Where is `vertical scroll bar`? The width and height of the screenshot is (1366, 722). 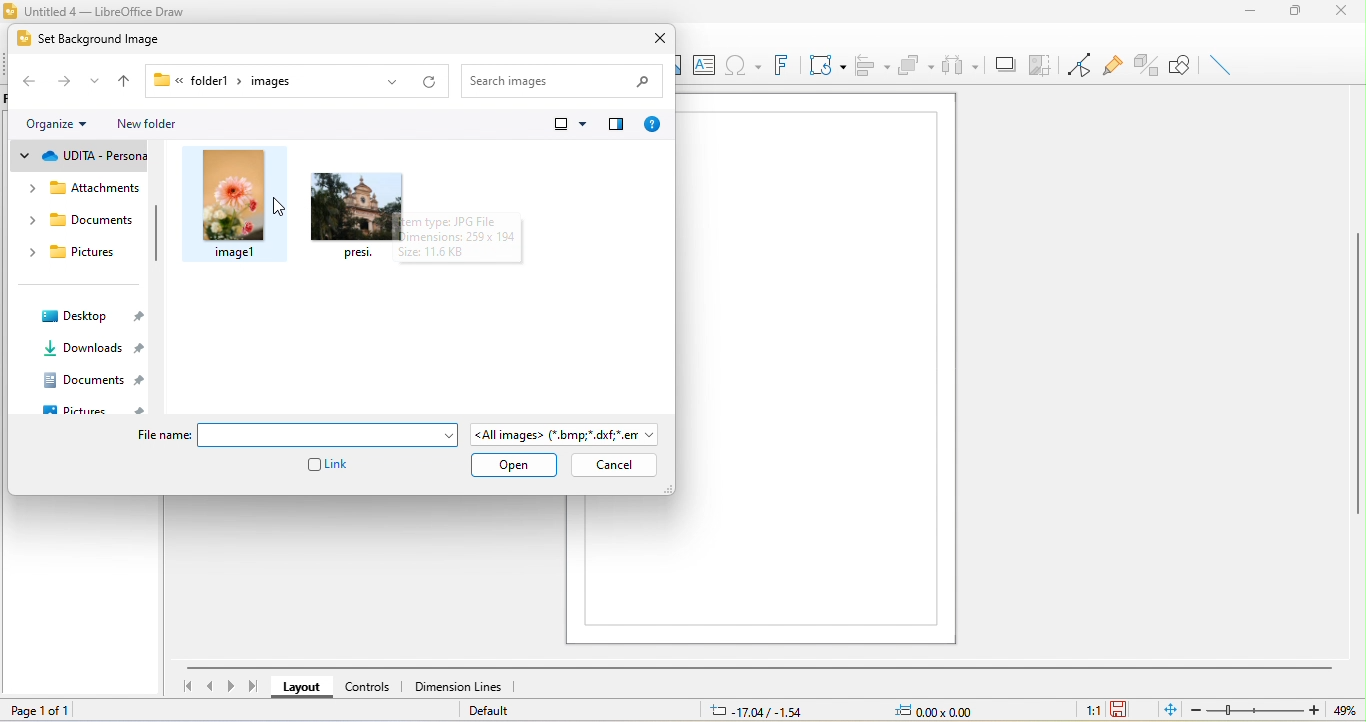
vertical scroll bar is located at coordinates (157, 234).